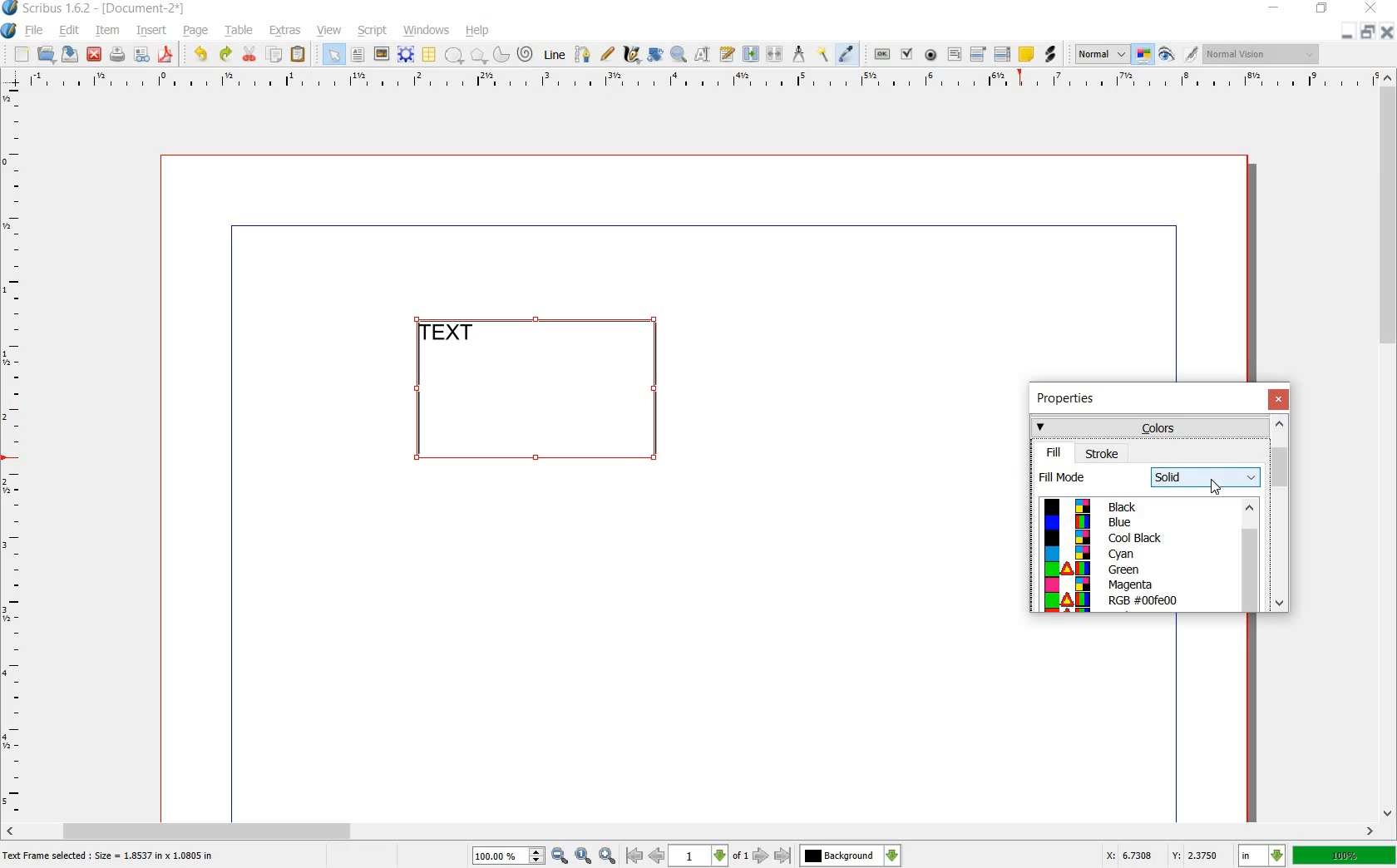  I want to click on color palette, so click(1067, 555).